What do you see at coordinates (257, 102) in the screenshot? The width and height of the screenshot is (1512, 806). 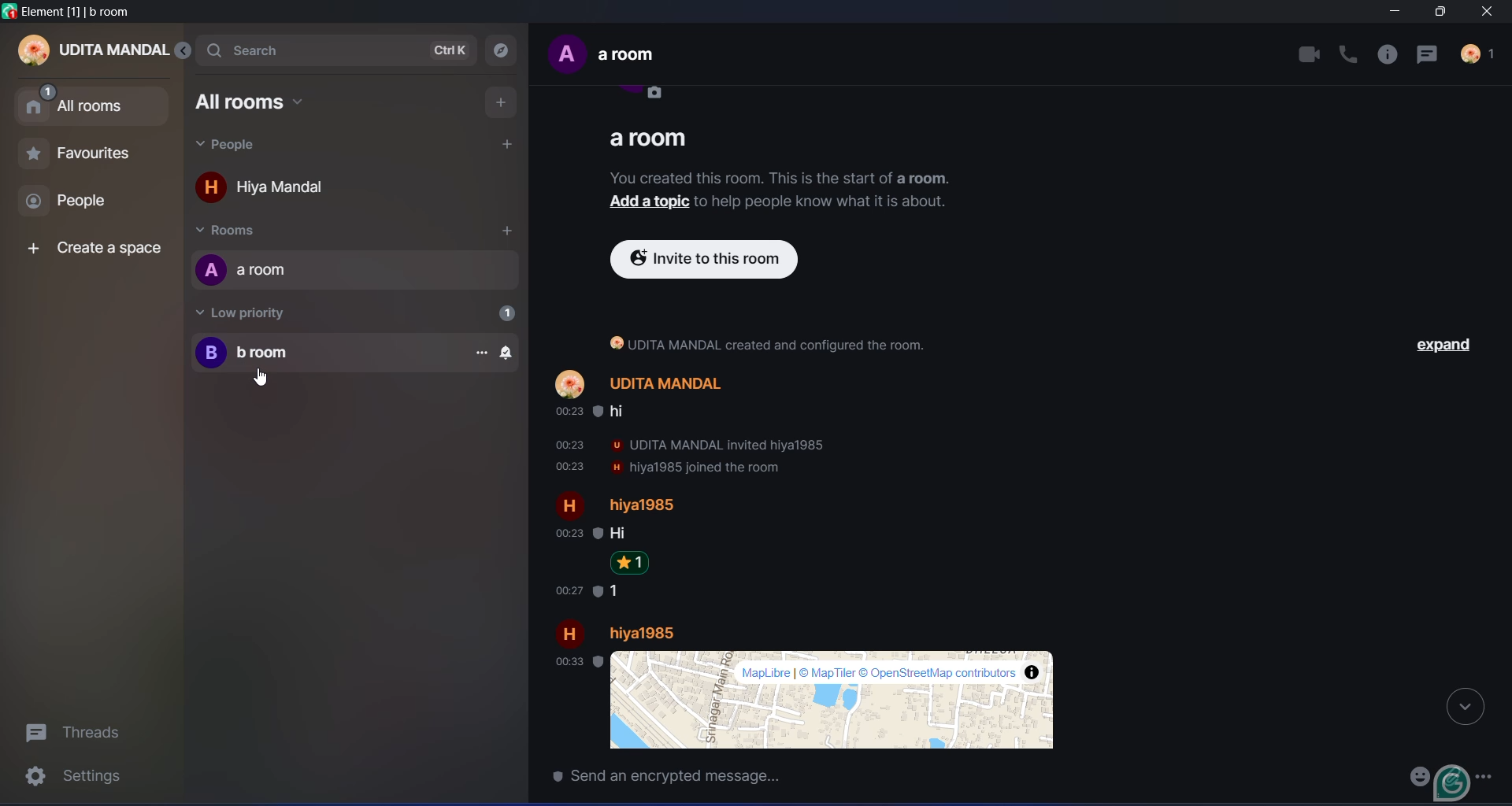 I see `All rooms` at bounding box center [257, 102].